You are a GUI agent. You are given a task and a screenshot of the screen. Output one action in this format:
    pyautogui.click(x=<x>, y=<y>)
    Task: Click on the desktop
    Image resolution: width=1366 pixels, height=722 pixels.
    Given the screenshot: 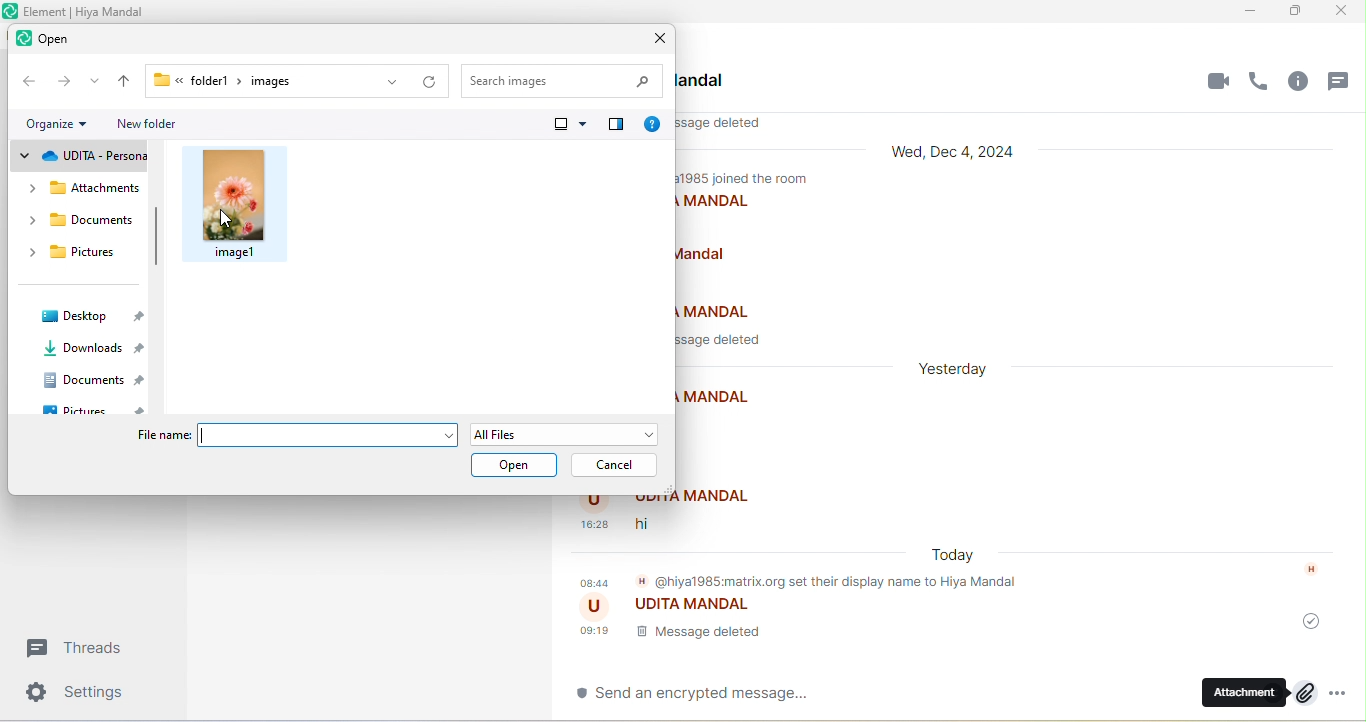 What is the action you would take?
    pyautogui.click(x=88, y=317)
    